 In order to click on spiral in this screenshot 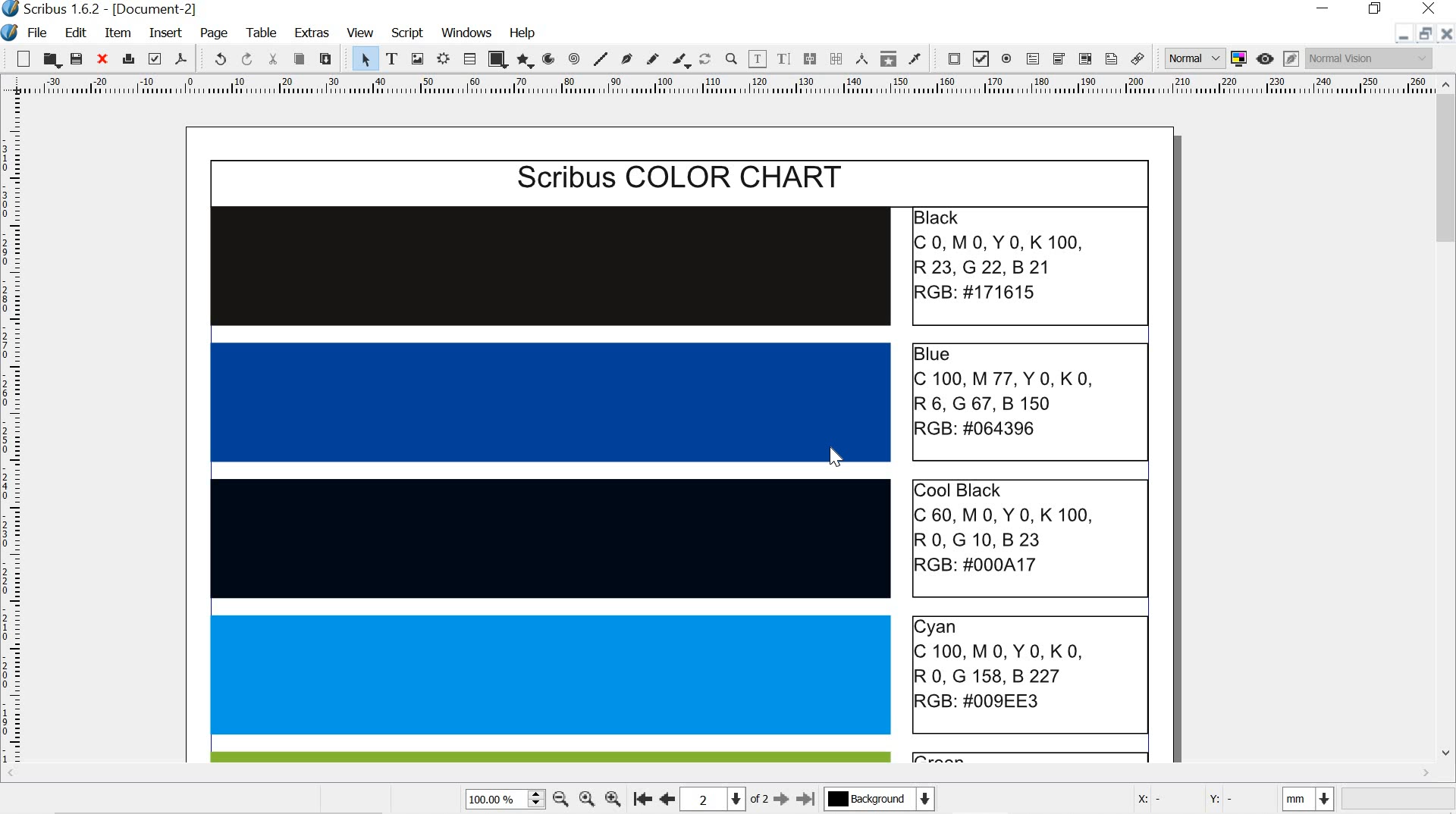, I will do `click(573, 58)`.